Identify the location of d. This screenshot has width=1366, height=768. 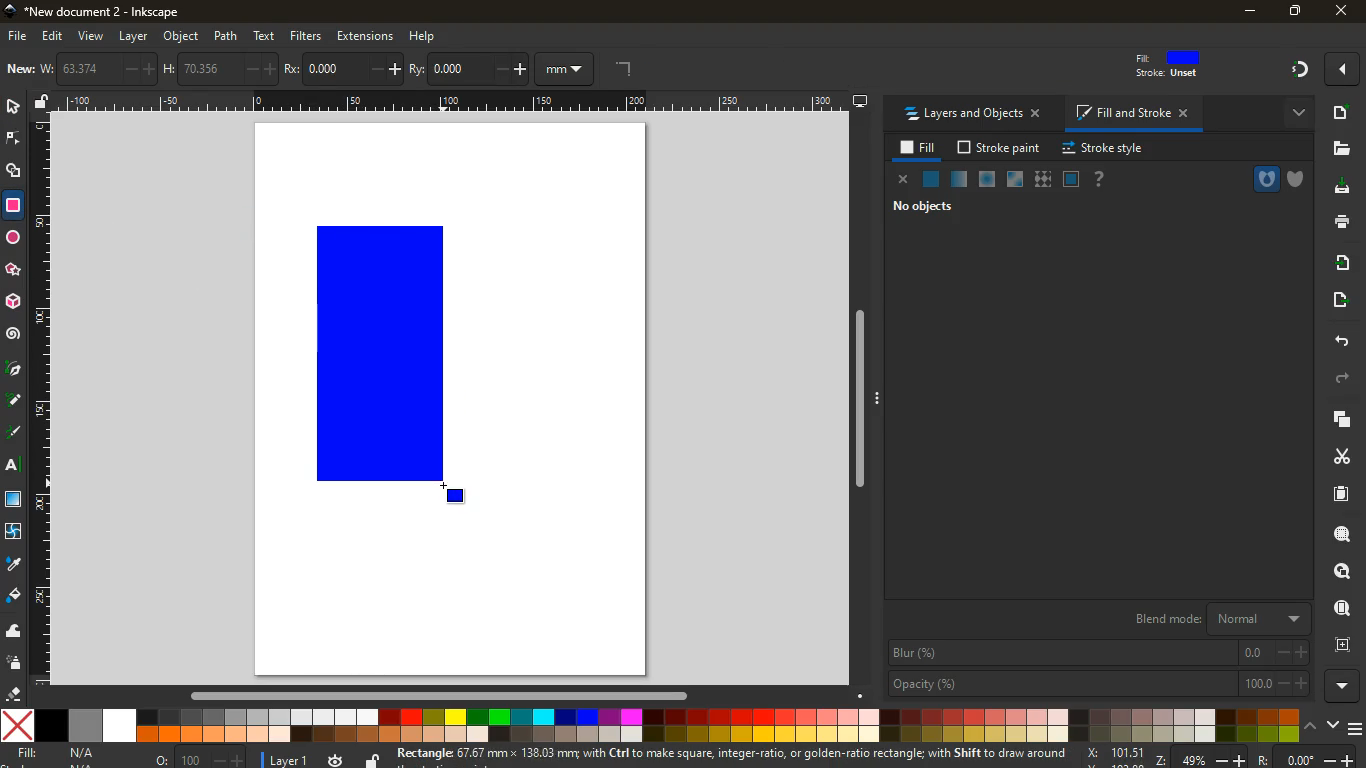
(15, 400).